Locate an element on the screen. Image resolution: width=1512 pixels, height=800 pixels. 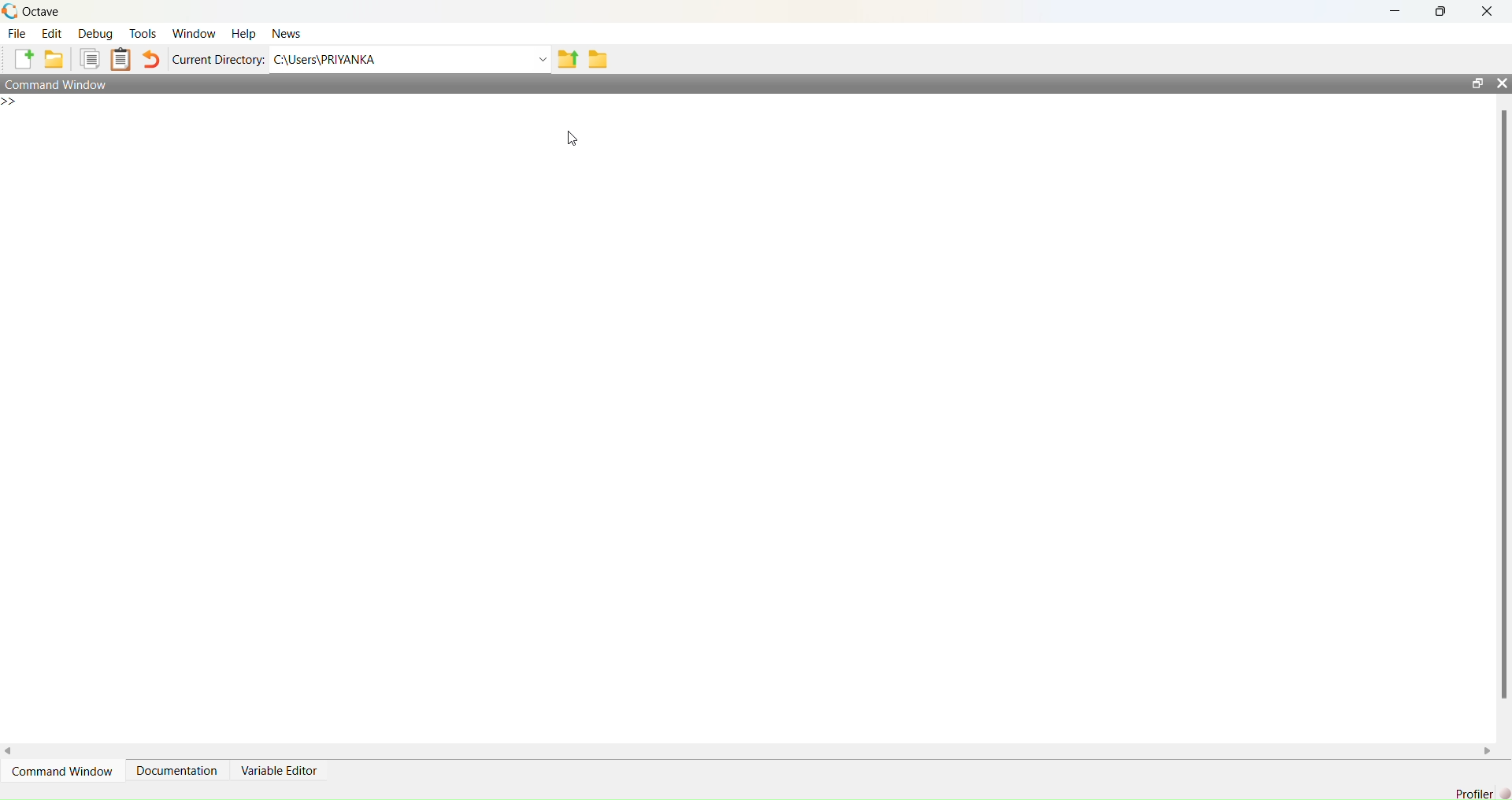
Current Directory: is located at coordinates (220, 61).